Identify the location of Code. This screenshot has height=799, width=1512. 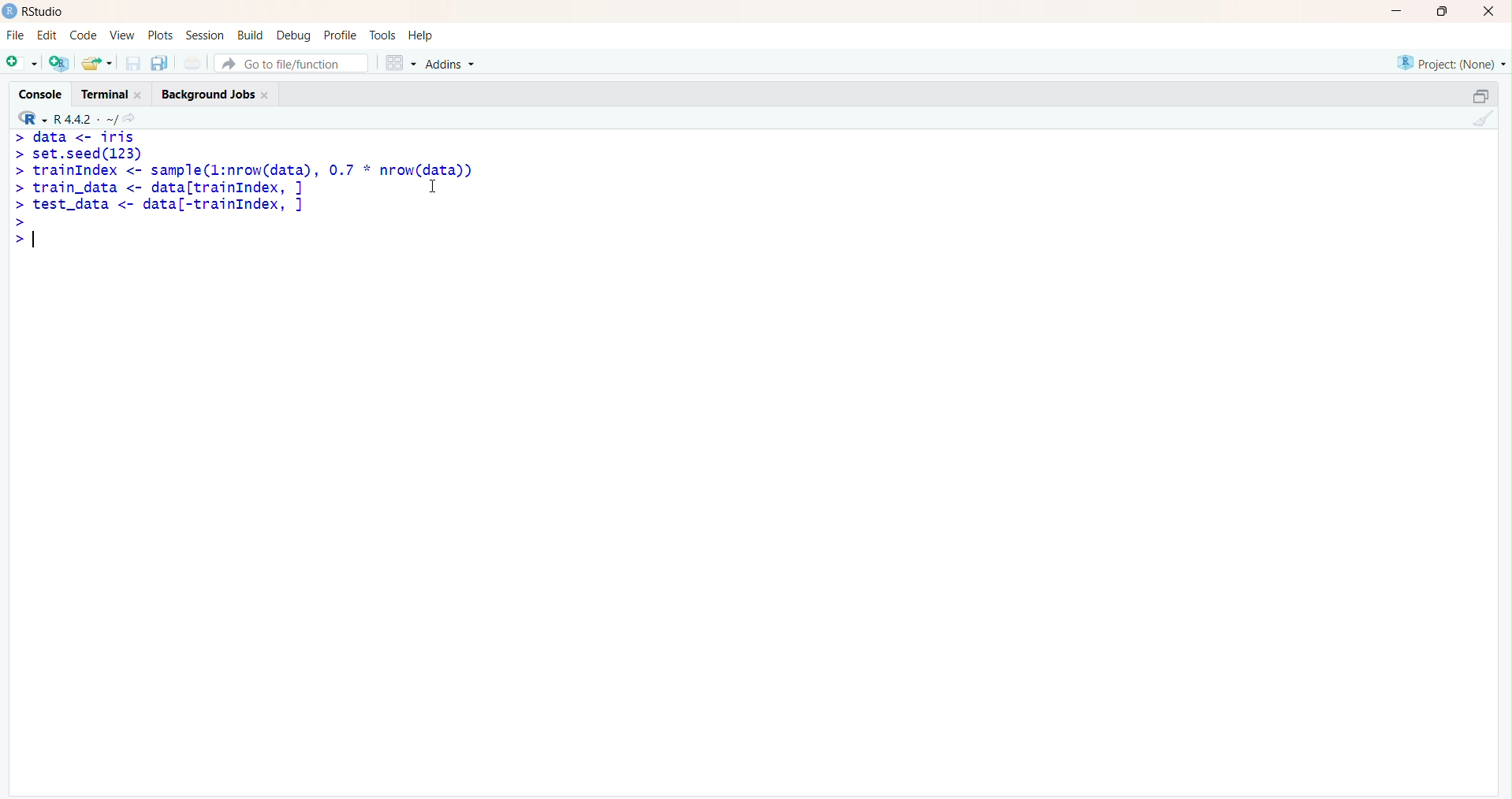
(82, 35).